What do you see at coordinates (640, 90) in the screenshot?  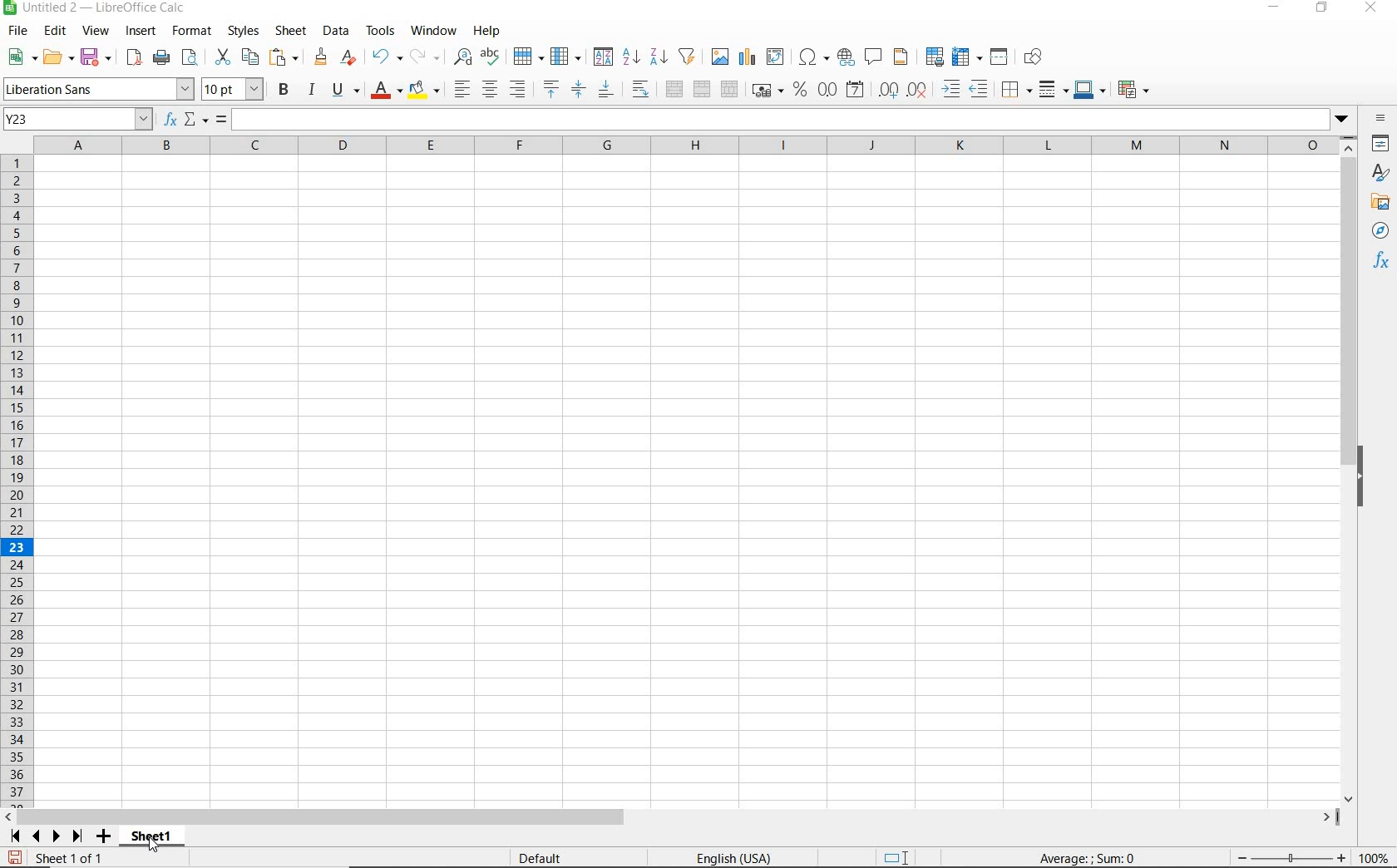 I see `WRAP TEXT` at bounding box center [640, 90].